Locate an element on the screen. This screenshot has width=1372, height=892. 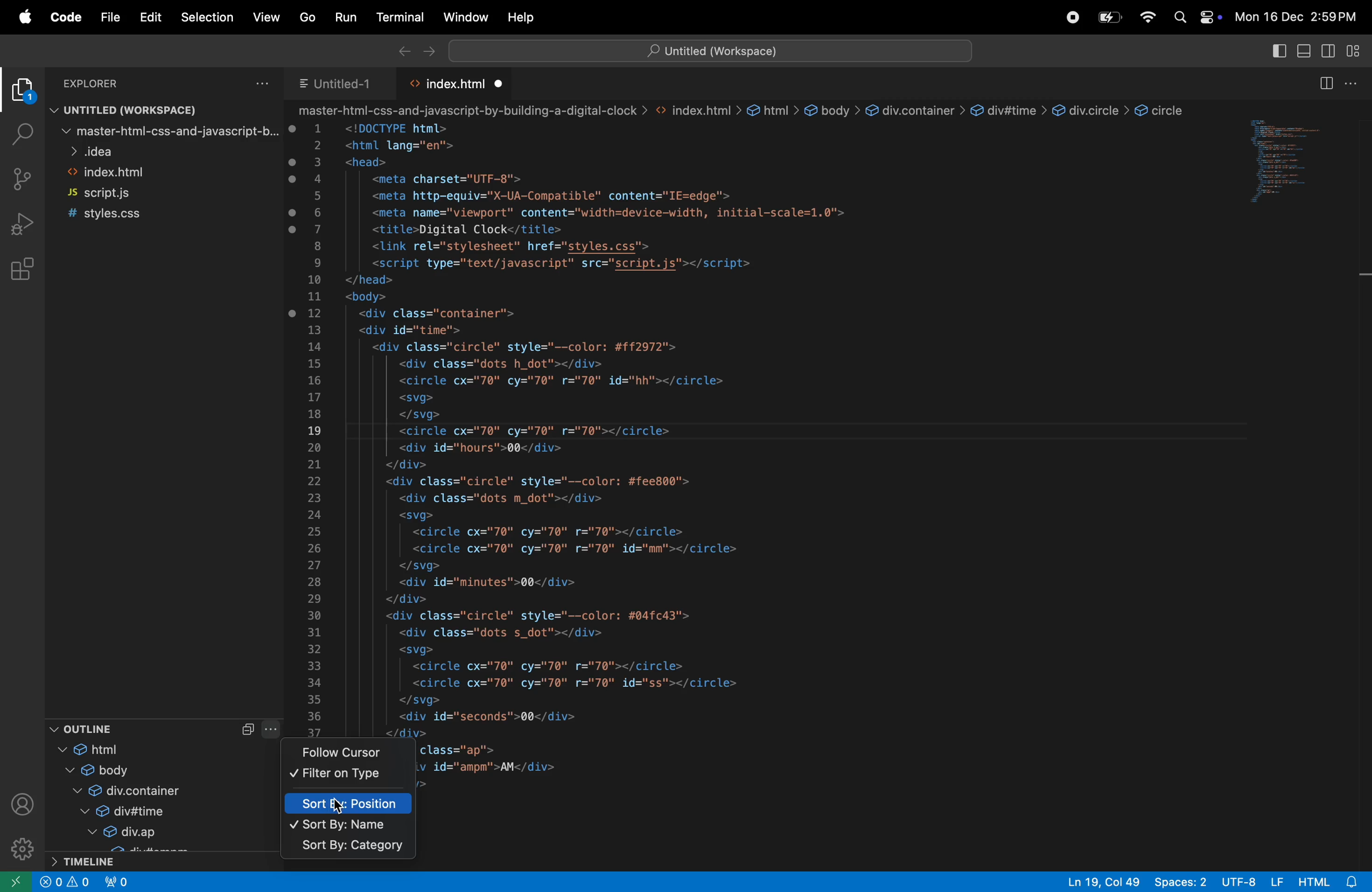
toggle secondary side bar is located at coordinates (1330, 52).